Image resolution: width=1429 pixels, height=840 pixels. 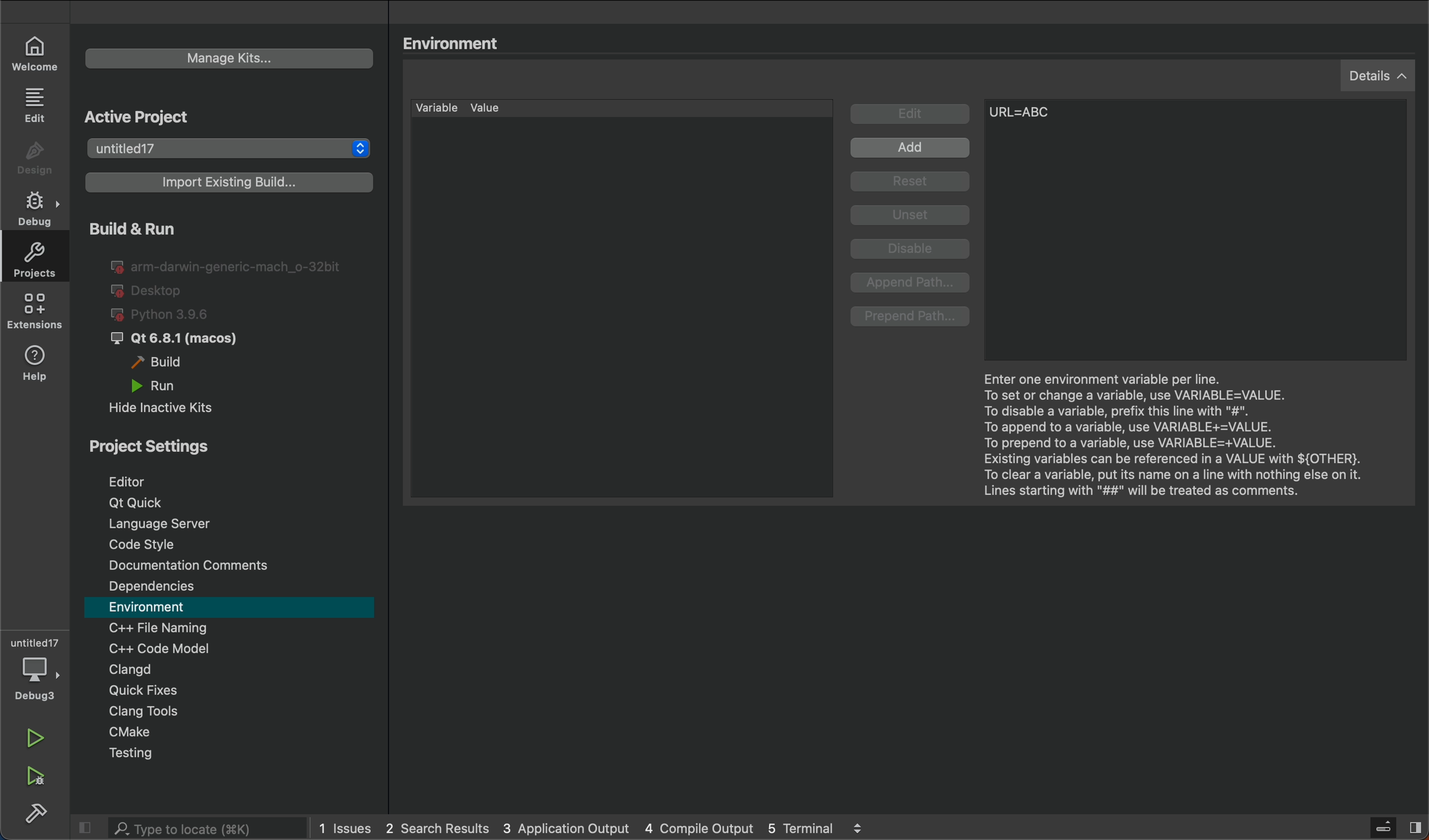 I want to click on build, so click(x=34, y=814).